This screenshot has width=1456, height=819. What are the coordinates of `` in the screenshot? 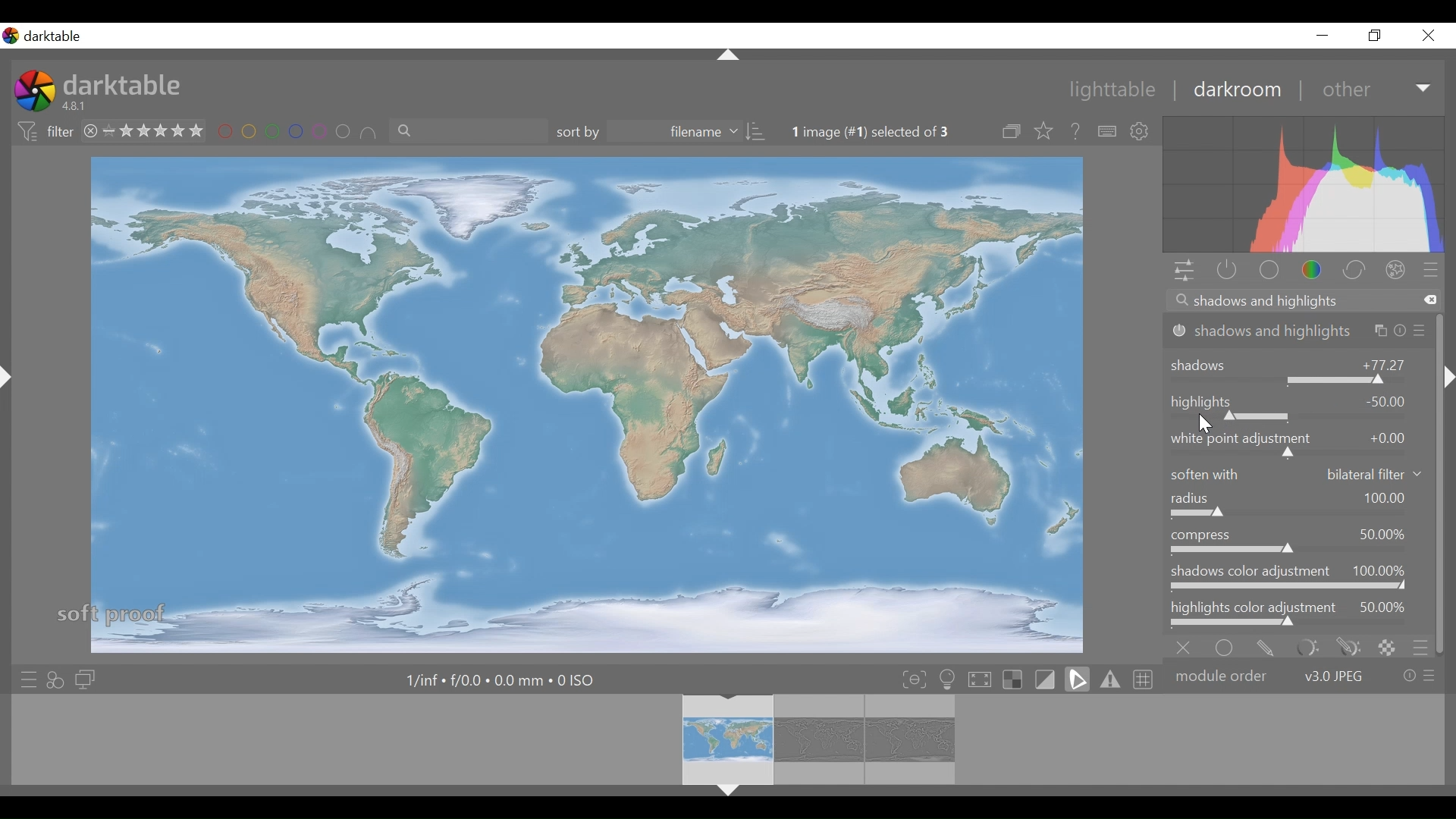 It's located at (1448, 393).